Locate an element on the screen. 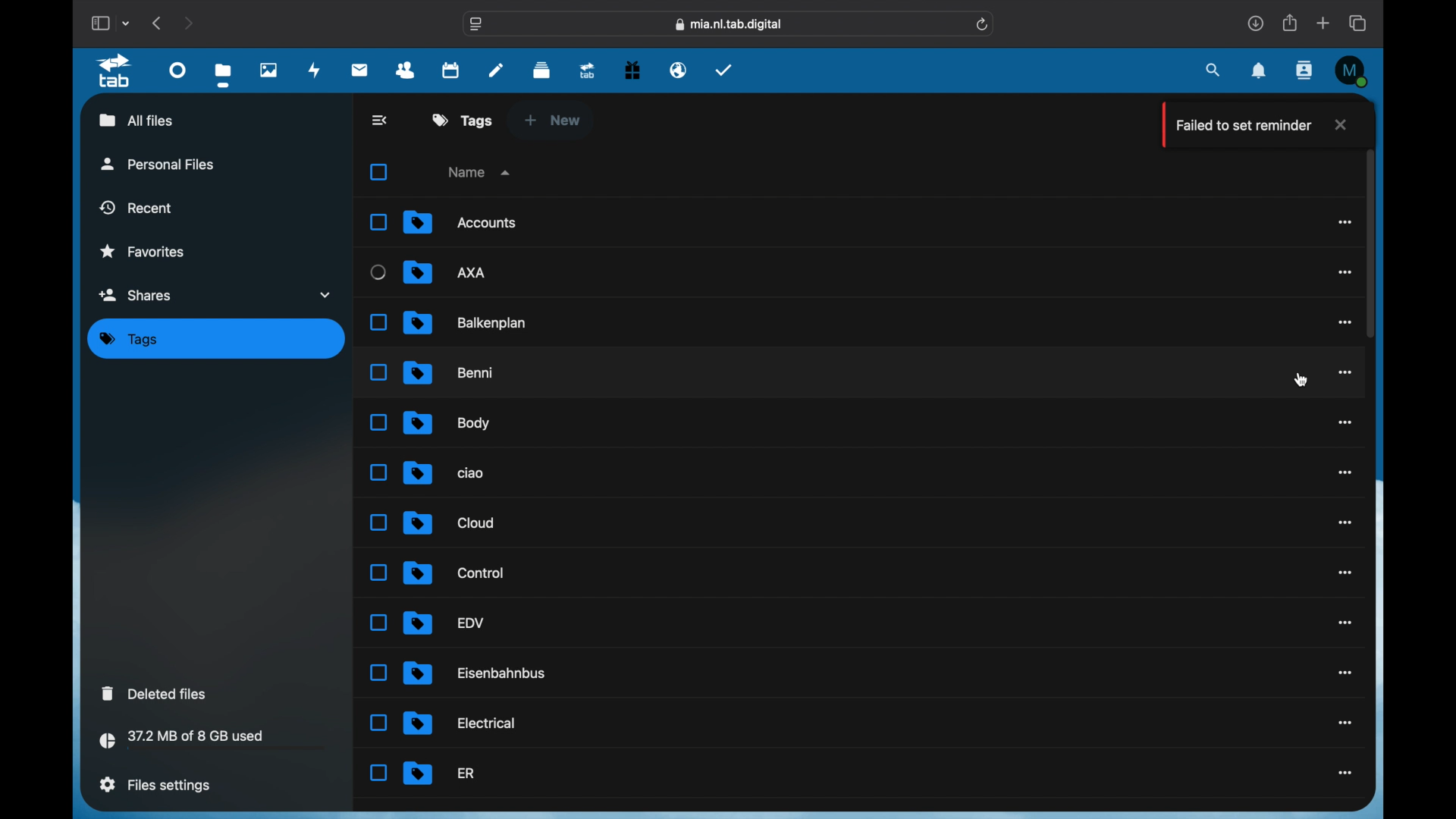 Image resolution: width=1456 pixels, height=819 pixels. more options is located at coordinates (1346, 673).